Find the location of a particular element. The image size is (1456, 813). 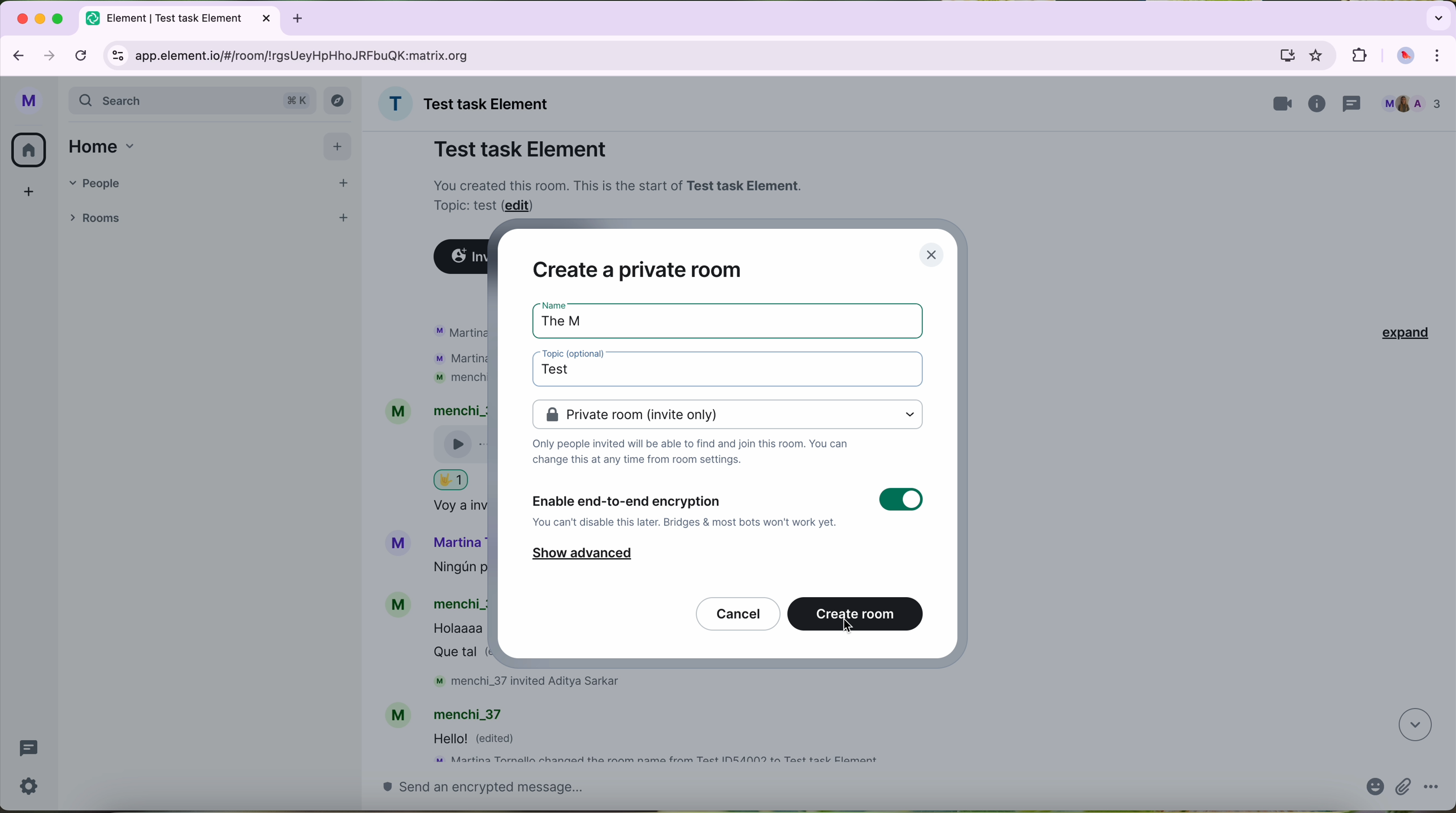

private room is located at coordinates (727, 414).